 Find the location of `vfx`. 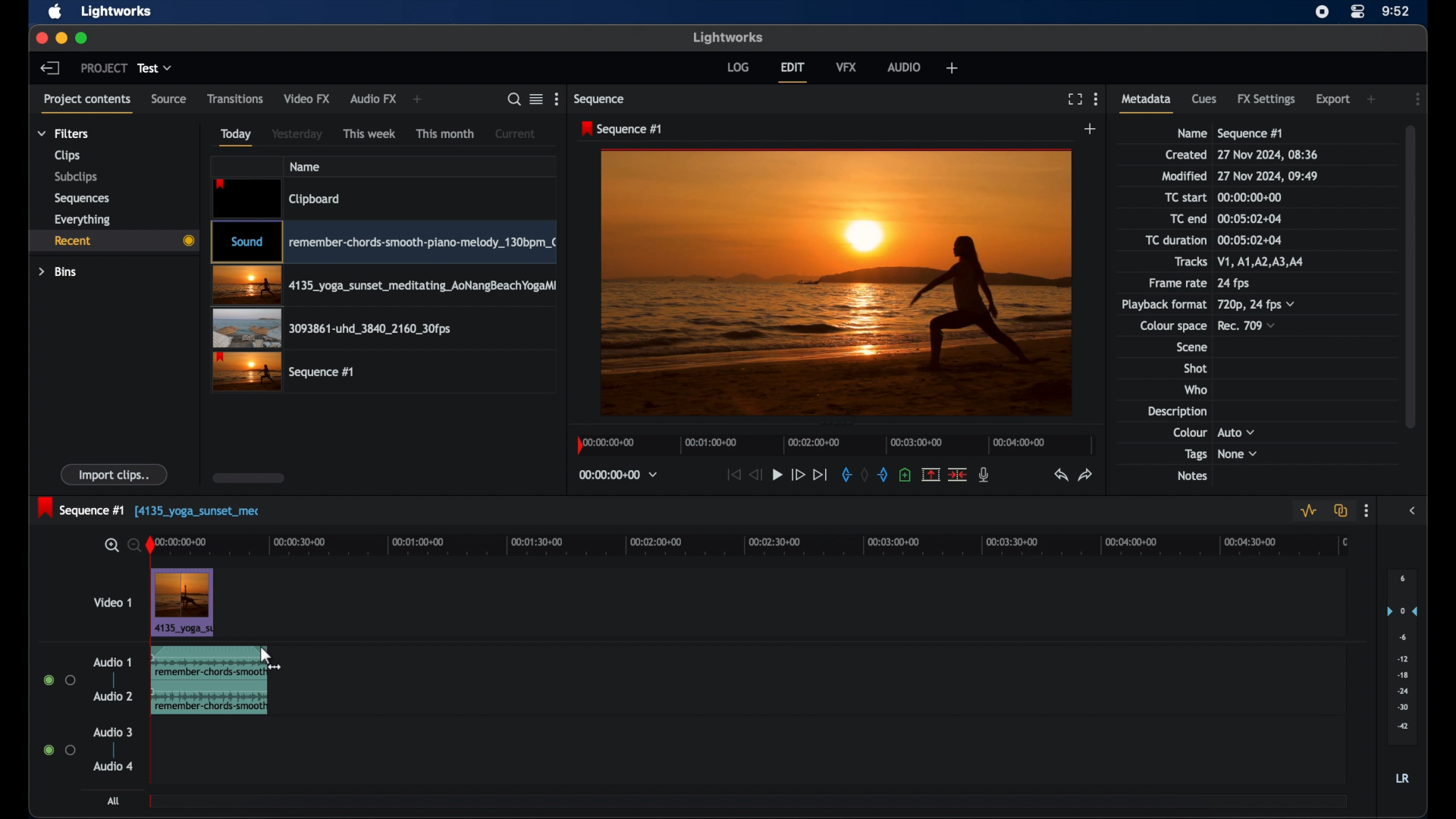

vfx is located at coordinates (847, 66).